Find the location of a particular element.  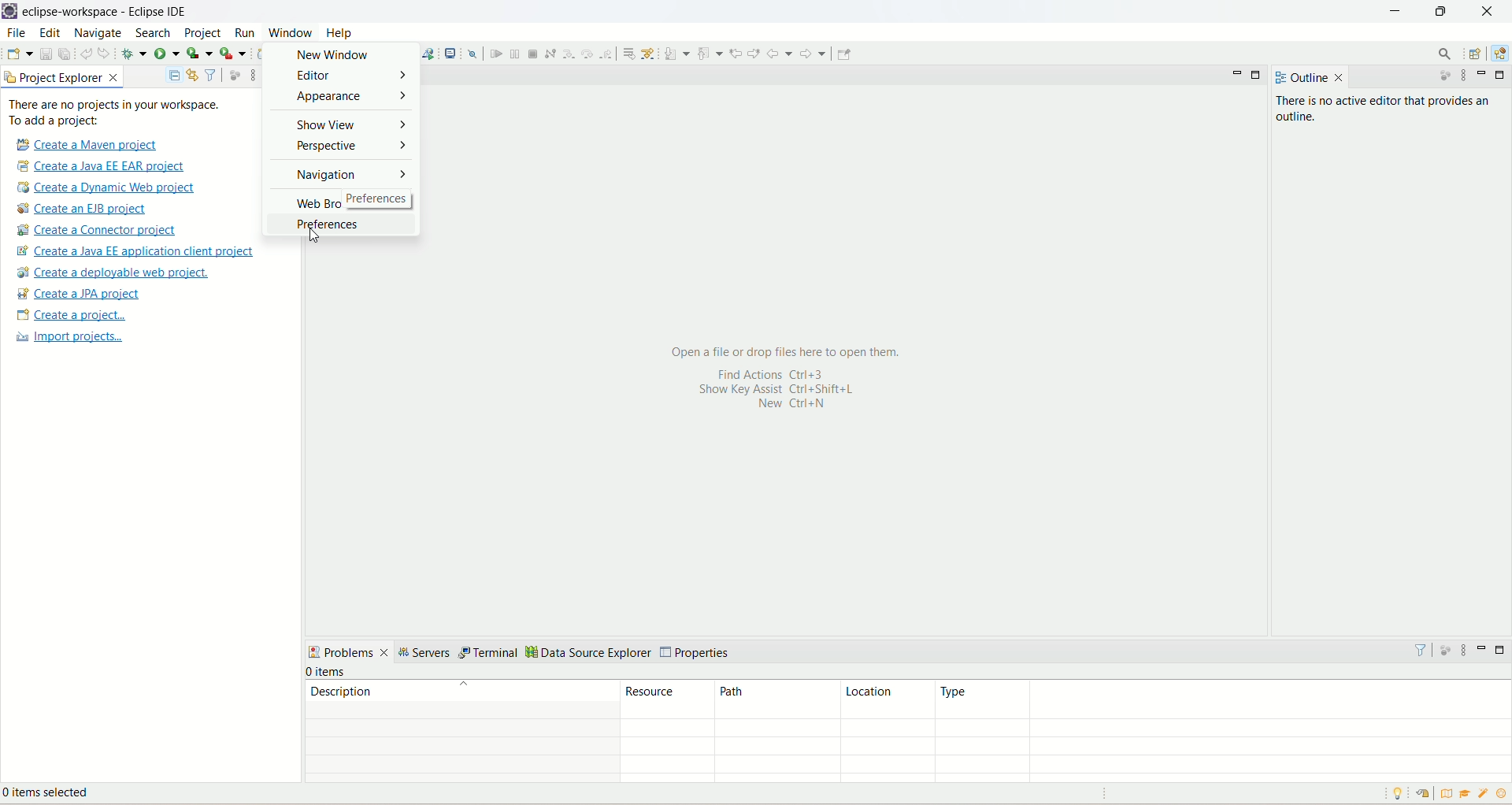

collapse all is located at coordinates (174, 76).